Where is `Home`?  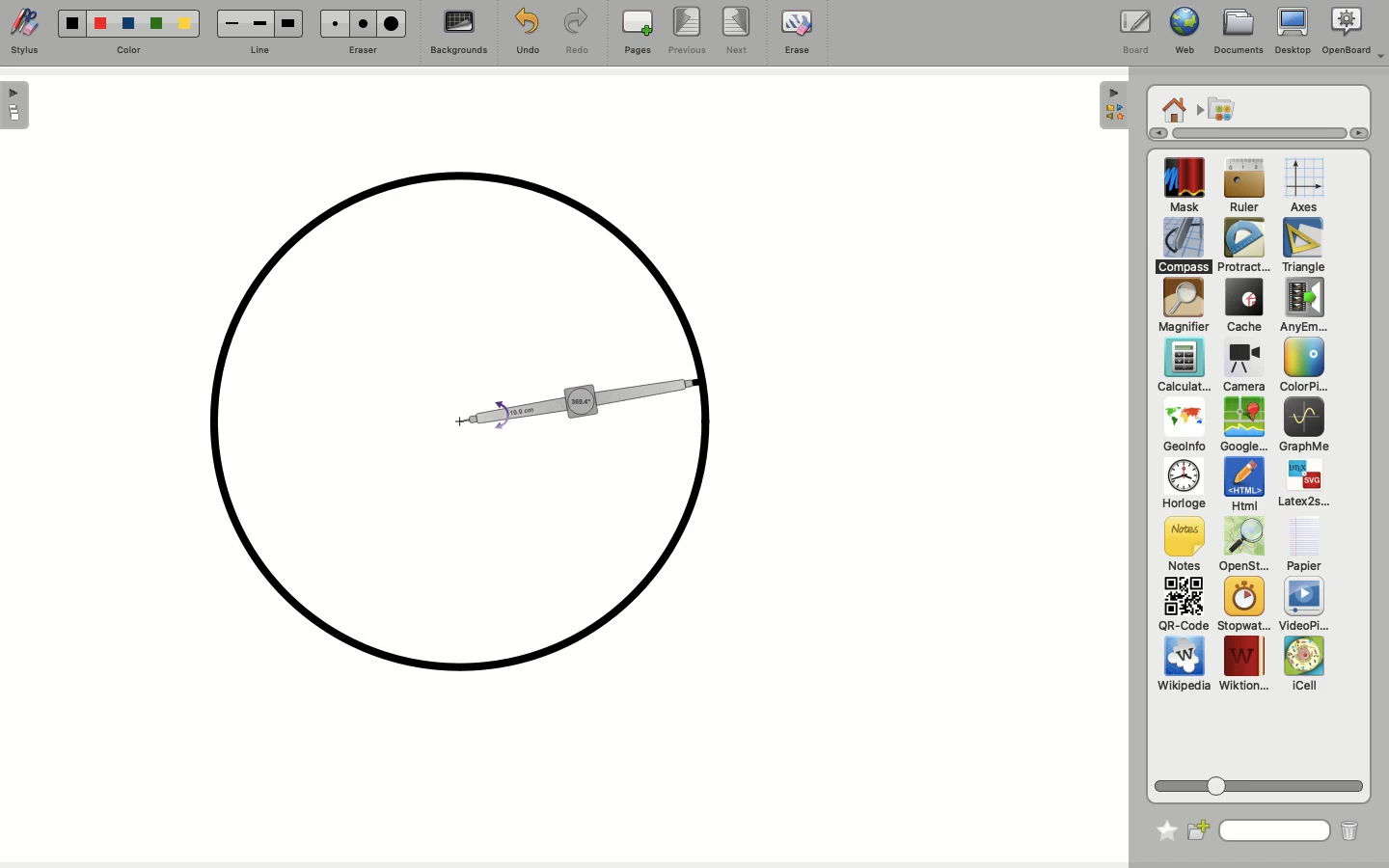
Home is located at coordinates (1174, 108).